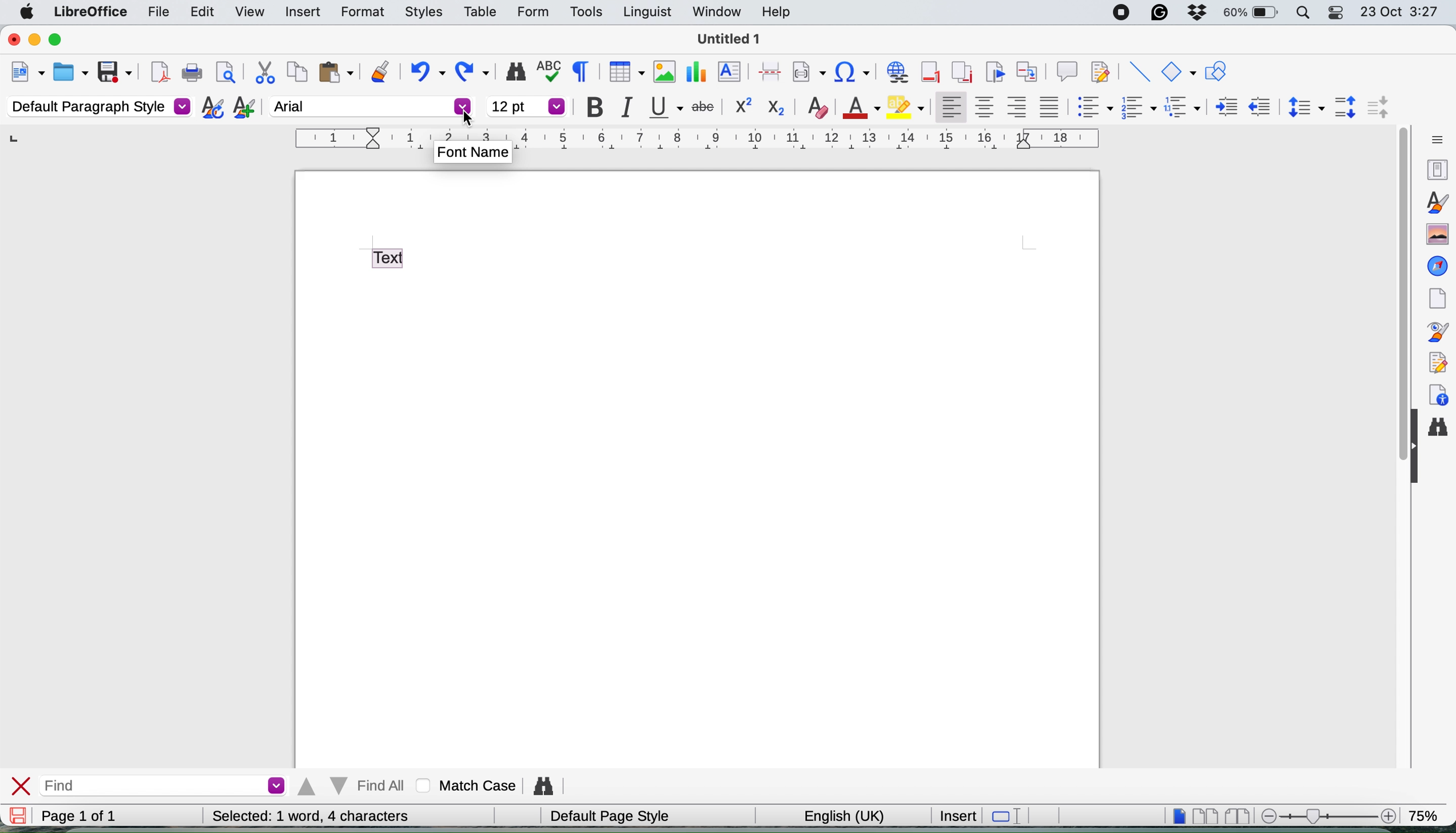 Image resolution: width=1456 pixels, height=833 pixels. I want to click on set line spacing, so click(1304, 107).